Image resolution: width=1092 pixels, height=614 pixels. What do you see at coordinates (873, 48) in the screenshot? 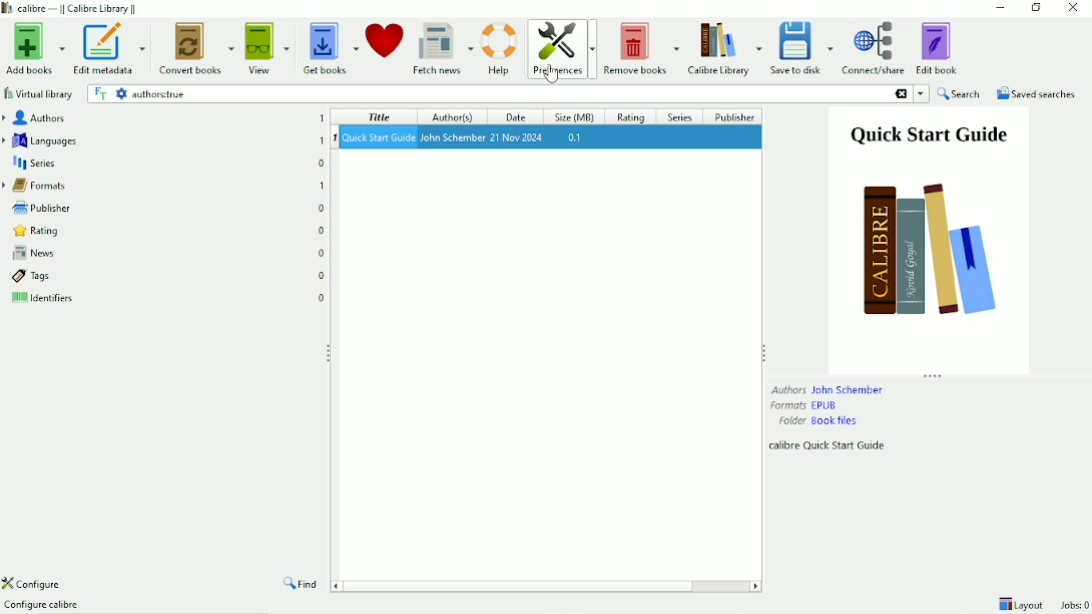
I see `Connect/share` at bounding box center [873, 48].